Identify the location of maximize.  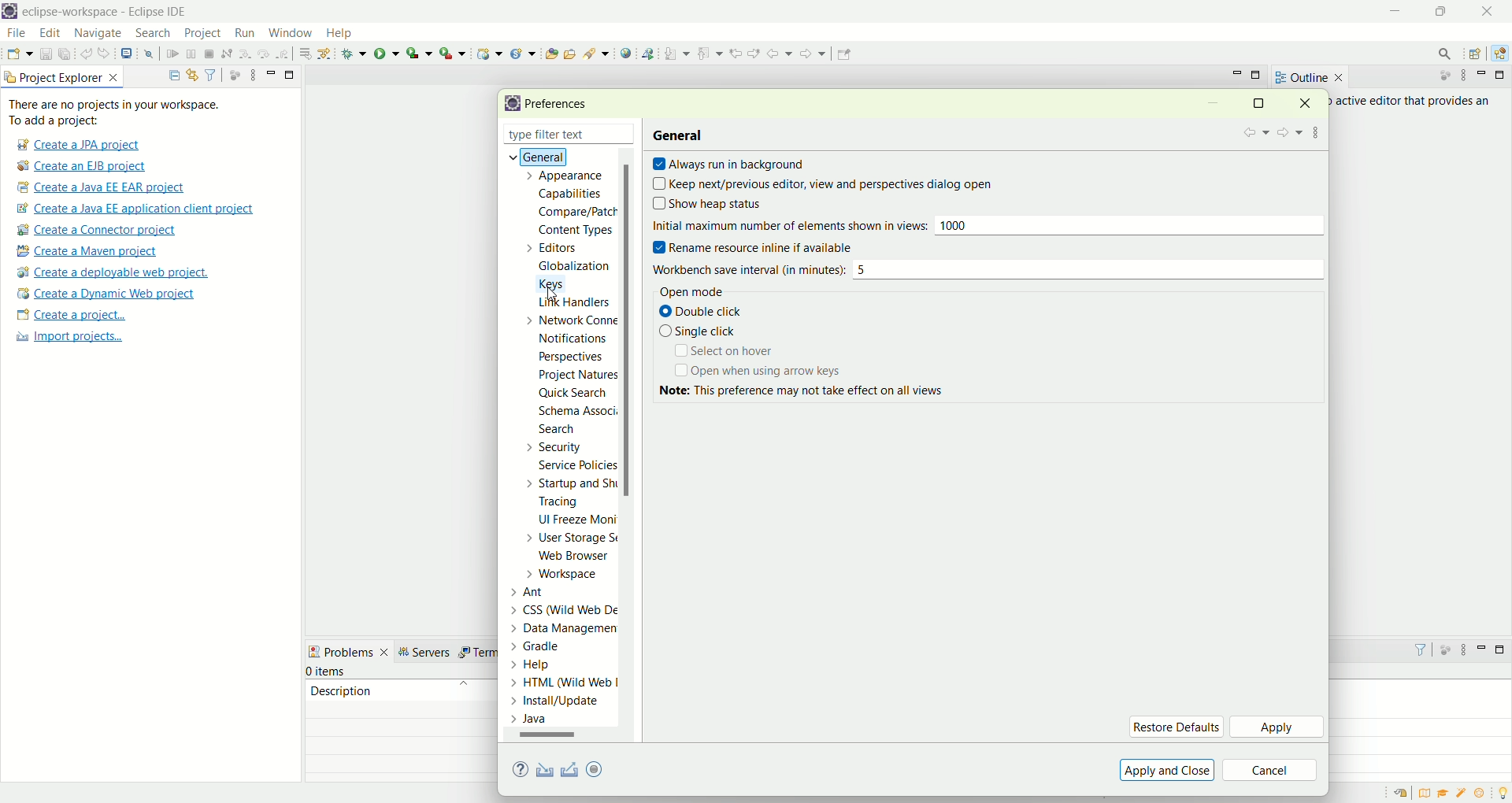
(1258, 102).